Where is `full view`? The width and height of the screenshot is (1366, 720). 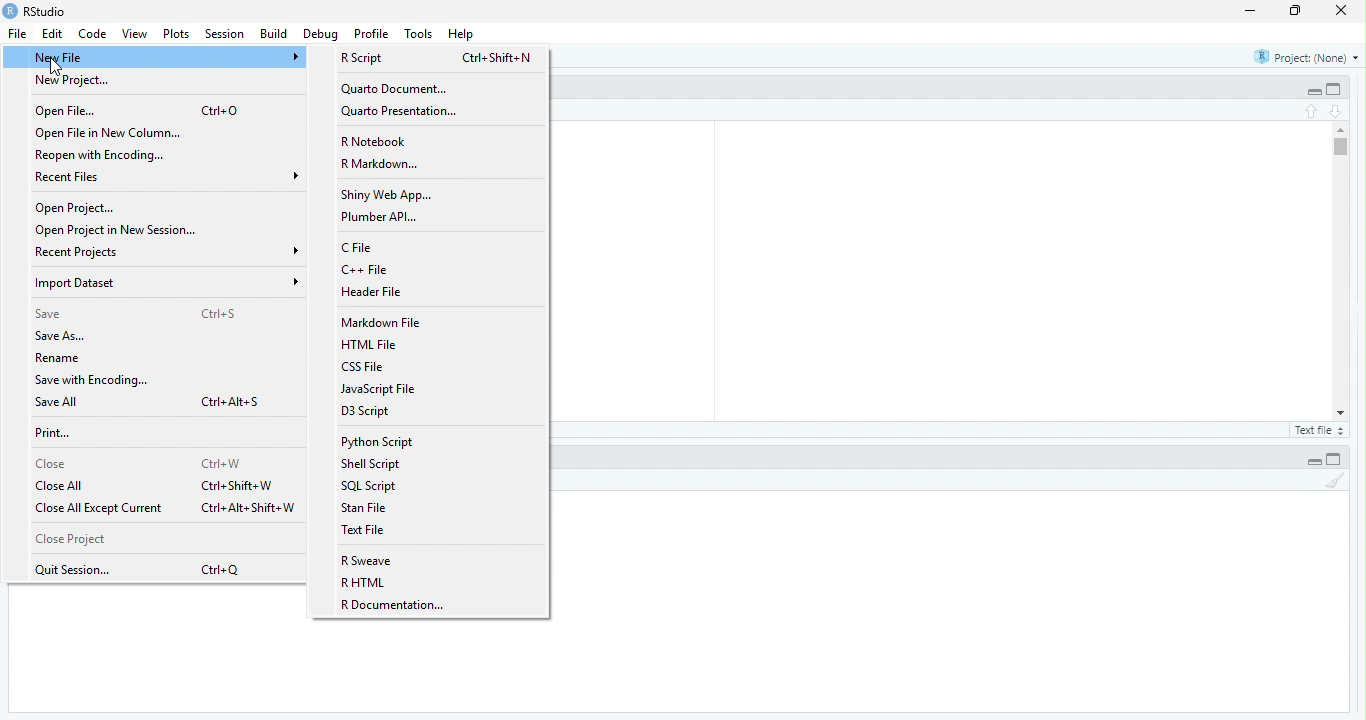
full view is located at coordinates (1334, 89).